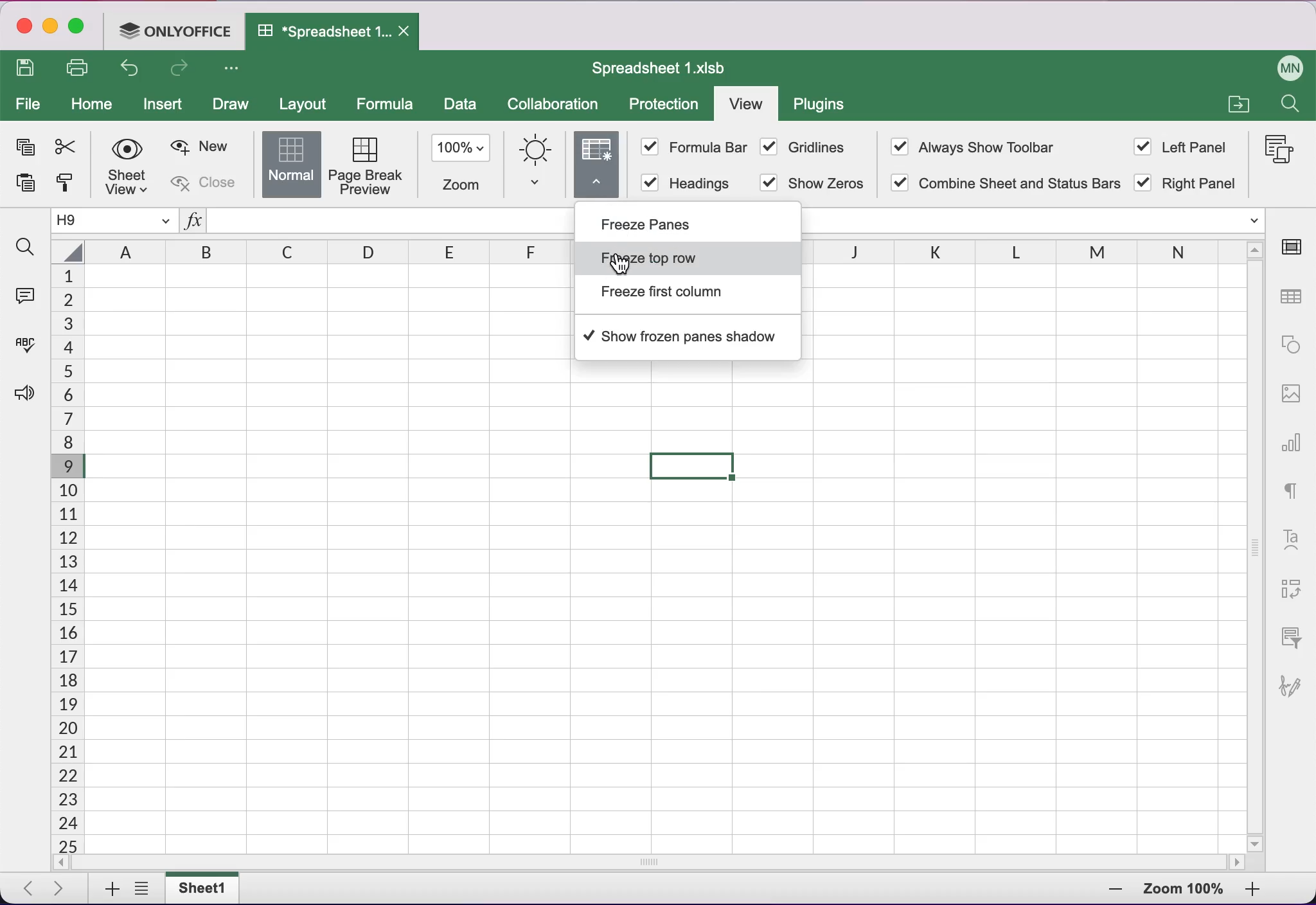 This screenshot has height=905, width=1316. What do you see at coordinates (1295, 634) in the screenshot?
I see `slicer` at bounding box center [1295, 634].